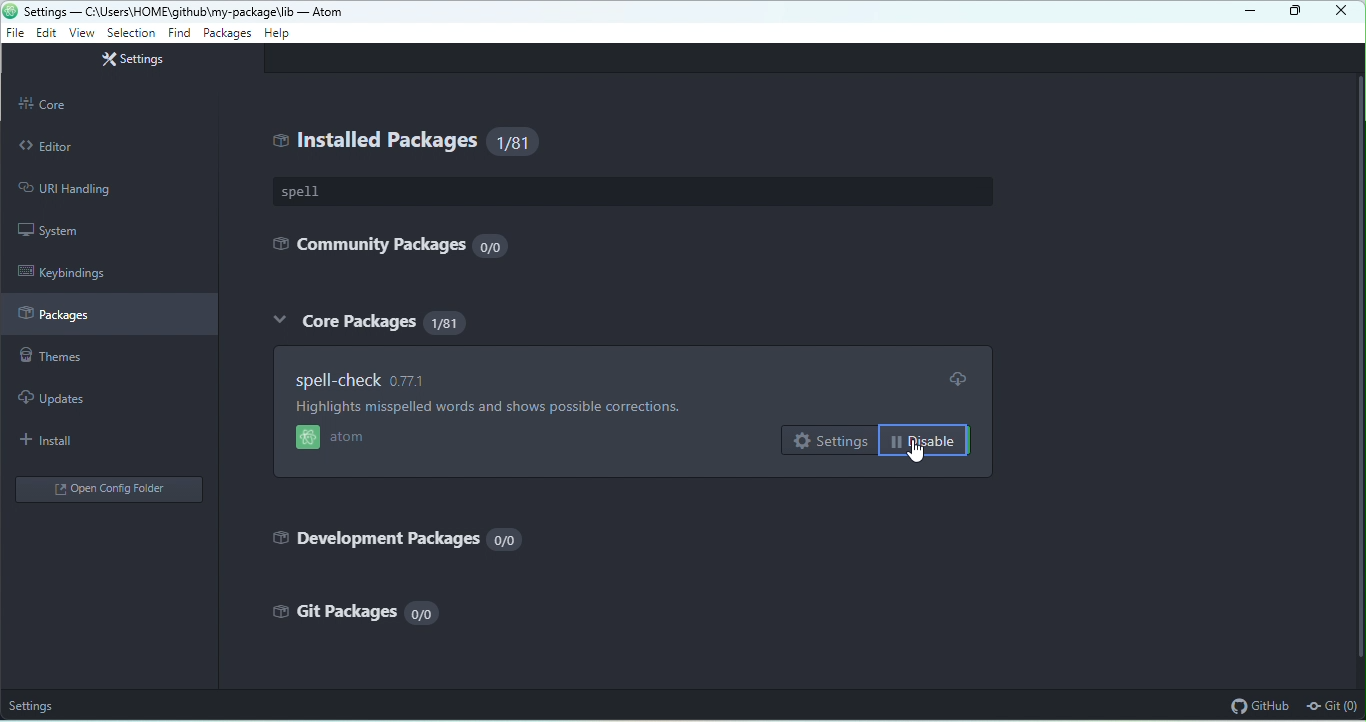  What do you see at coordinates (826, 441) in the screenshot?
I see `settings` at bounding box center [826, 441].